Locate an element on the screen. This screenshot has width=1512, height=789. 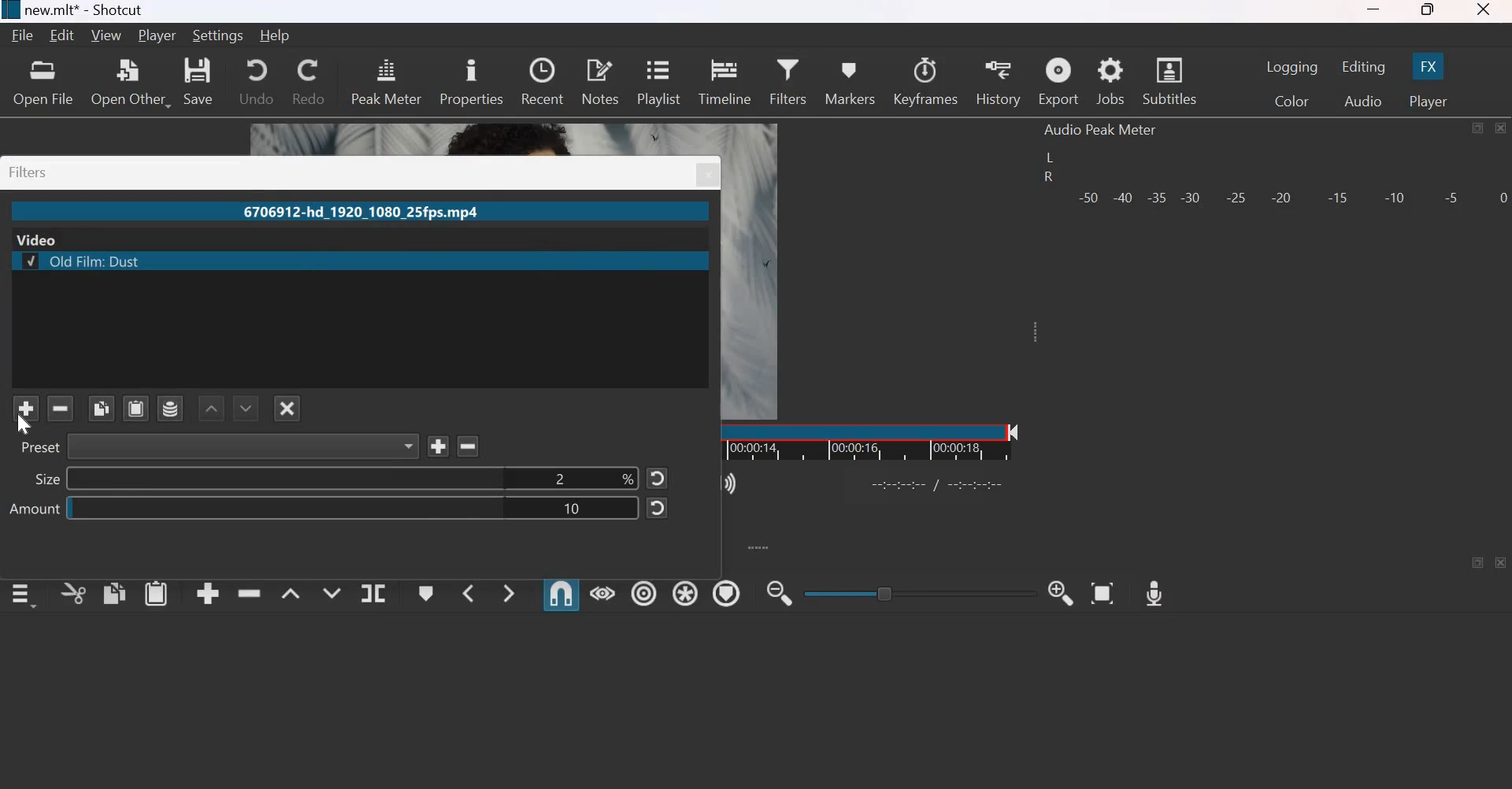
Scrub while dragging is located at coordinates (602, 592).